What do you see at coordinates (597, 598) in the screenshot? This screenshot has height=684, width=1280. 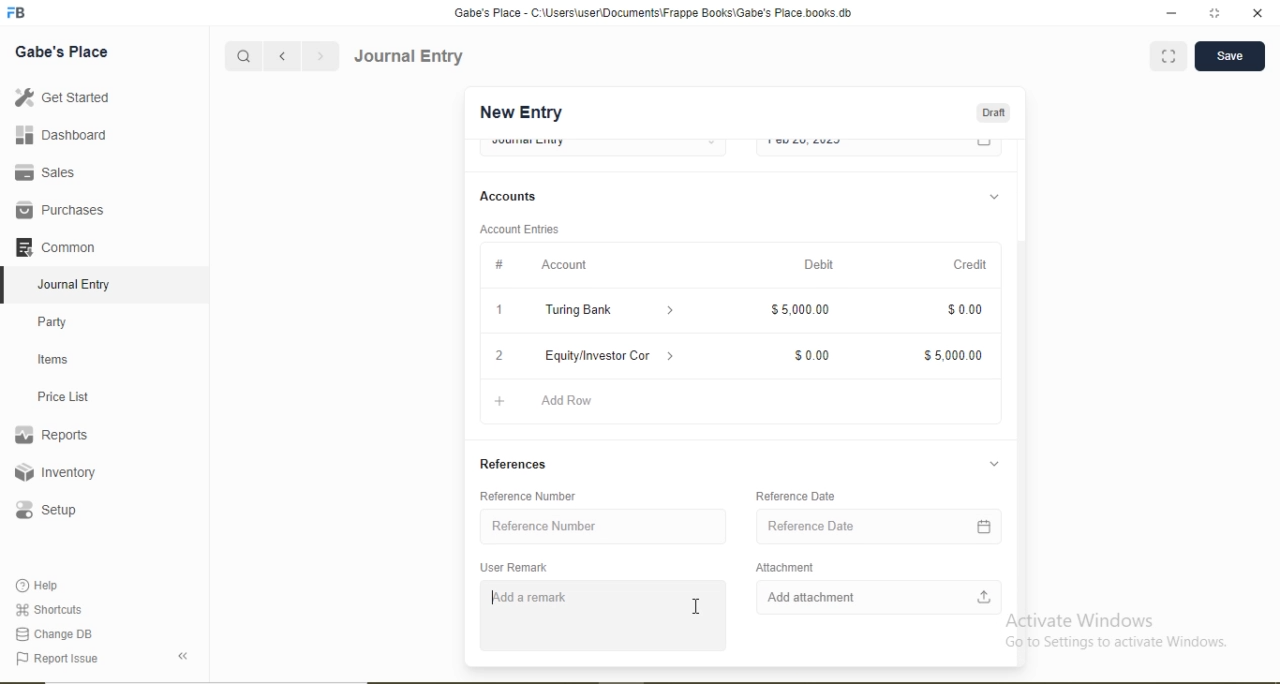 I see `Investment received from Mike Adams` at bounding box center [597, 598].